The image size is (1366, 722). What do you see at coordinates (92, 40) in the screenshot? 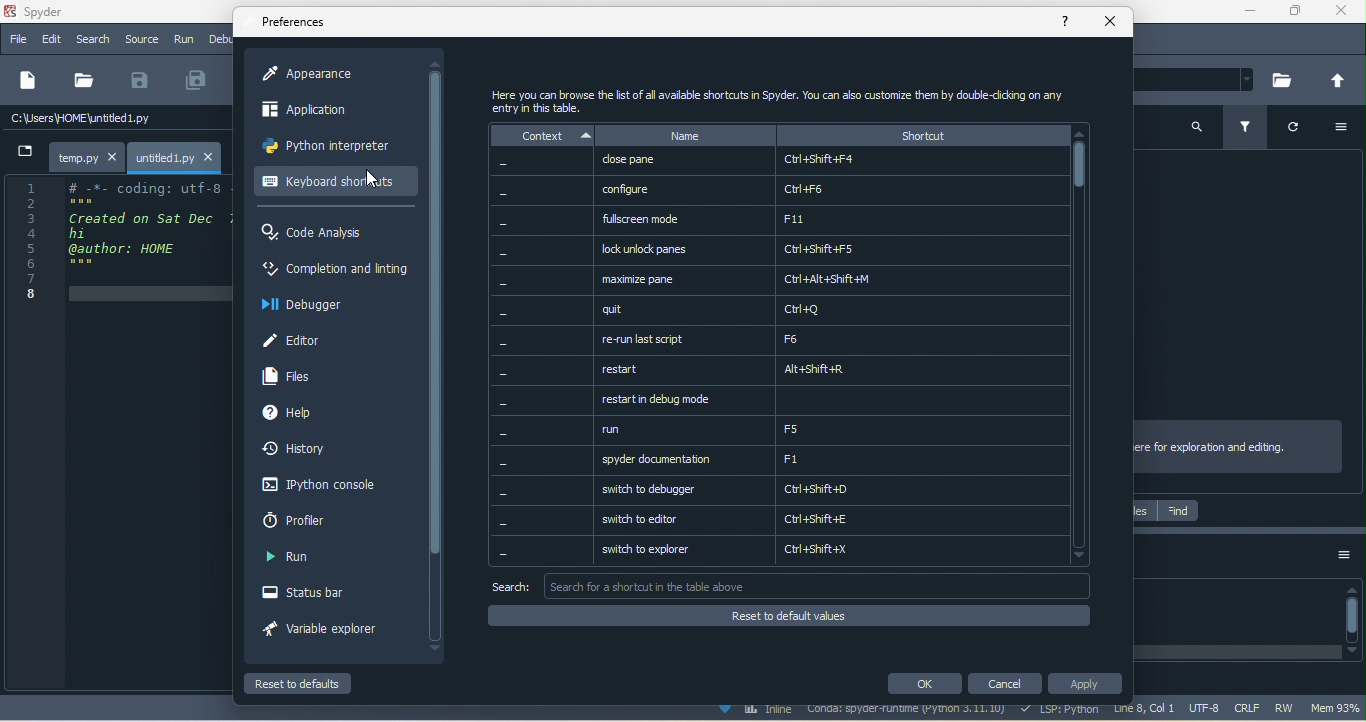
I see `search` at bounding box center [92, 40].